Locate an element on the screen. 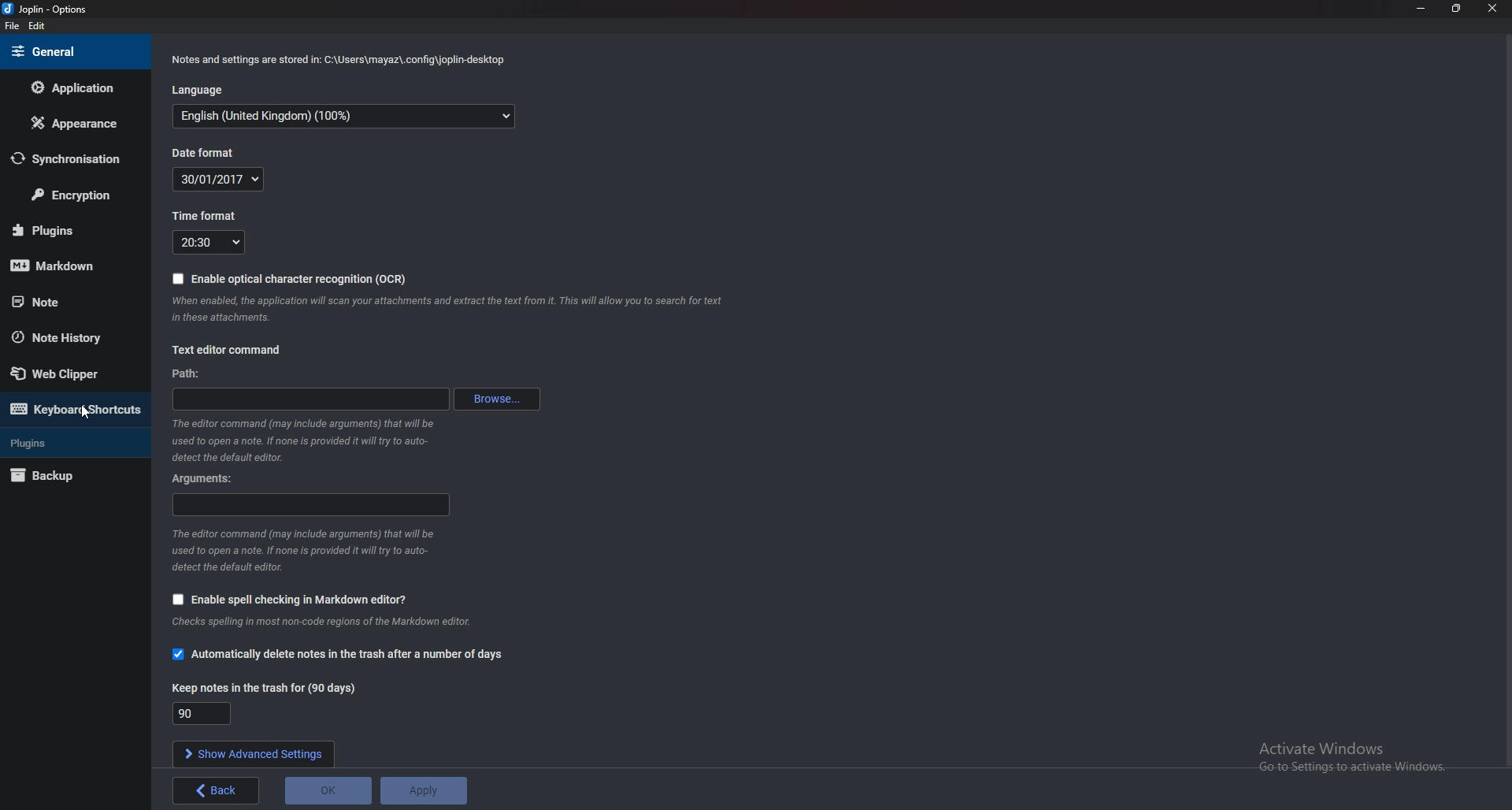 The image size is (1512, 810). Plugins is located at coordinates (65, 229).